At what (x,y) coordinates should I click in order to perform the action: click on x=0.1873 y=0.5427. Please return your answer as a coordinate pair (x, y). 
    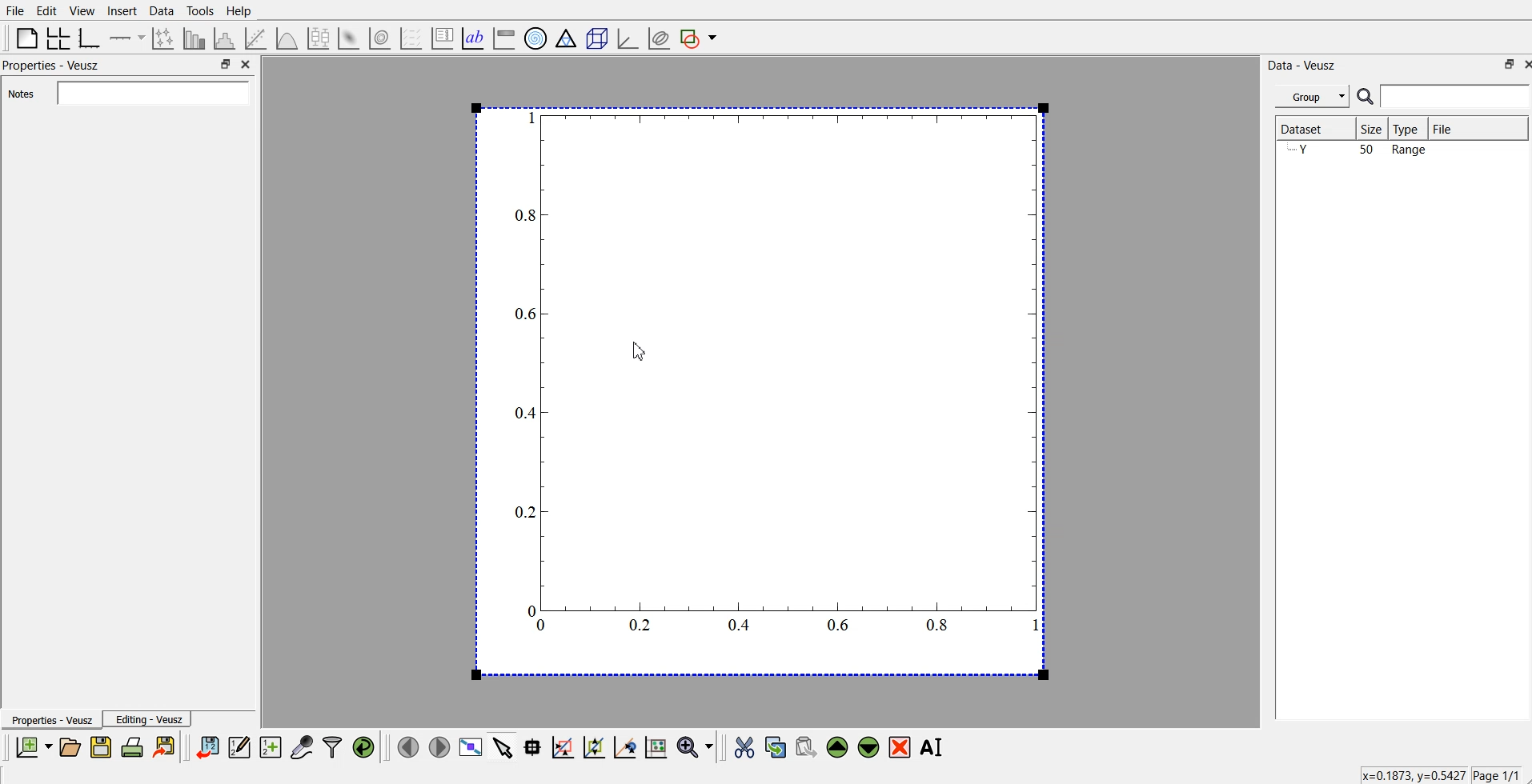
    Looking at the image, I should click on (1410, 775).